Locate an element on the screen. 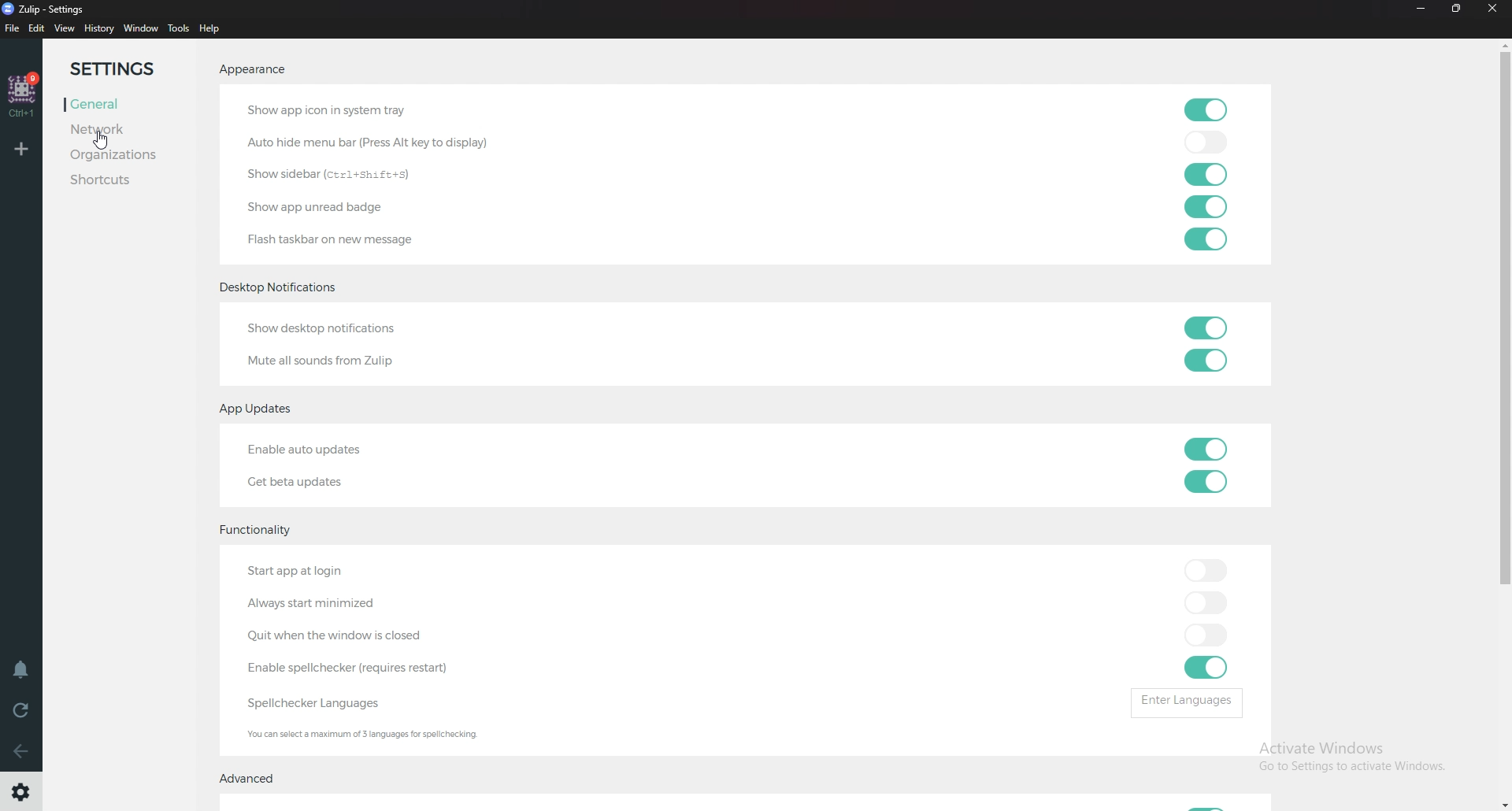 The image size is (1512, 811). Spell Checker languages is located at coordinates (317, 704).